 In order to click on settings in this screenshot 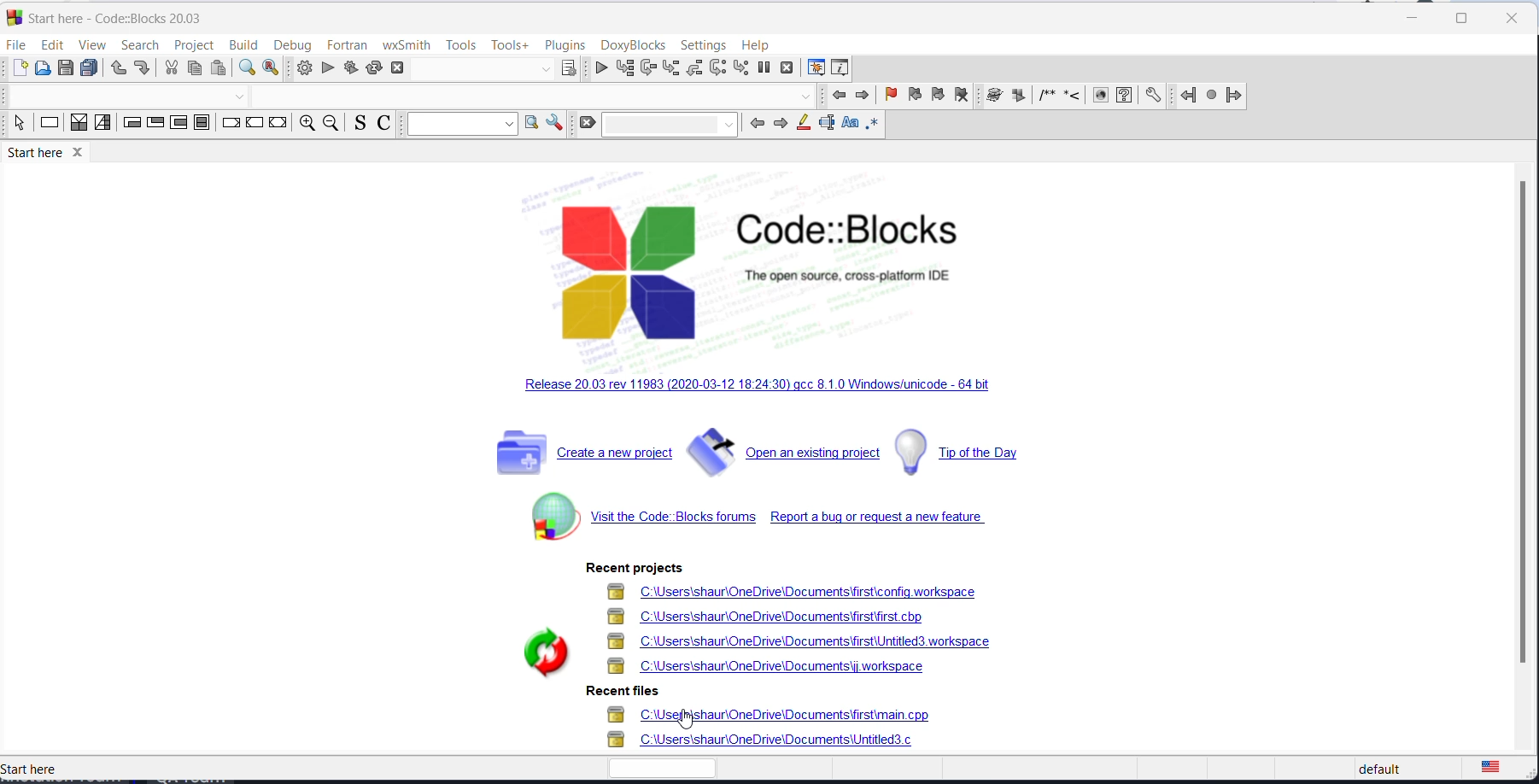, I will do `click(702, 44)`.